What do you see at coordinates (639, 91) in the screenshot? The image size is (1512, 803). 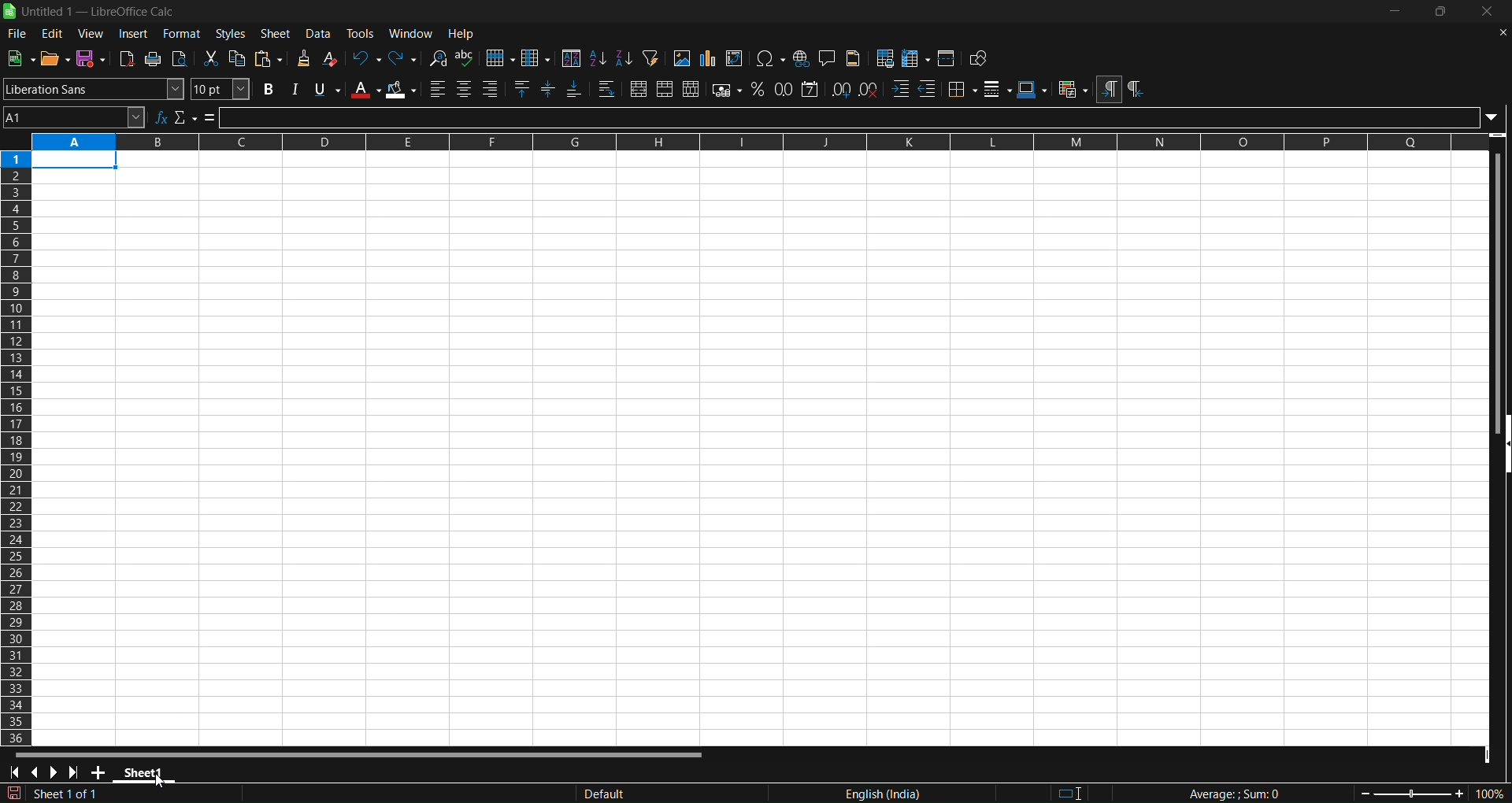 I see `merge and center or unmerge cells depending on the current toggle state.` at bounding box center [639, 91].